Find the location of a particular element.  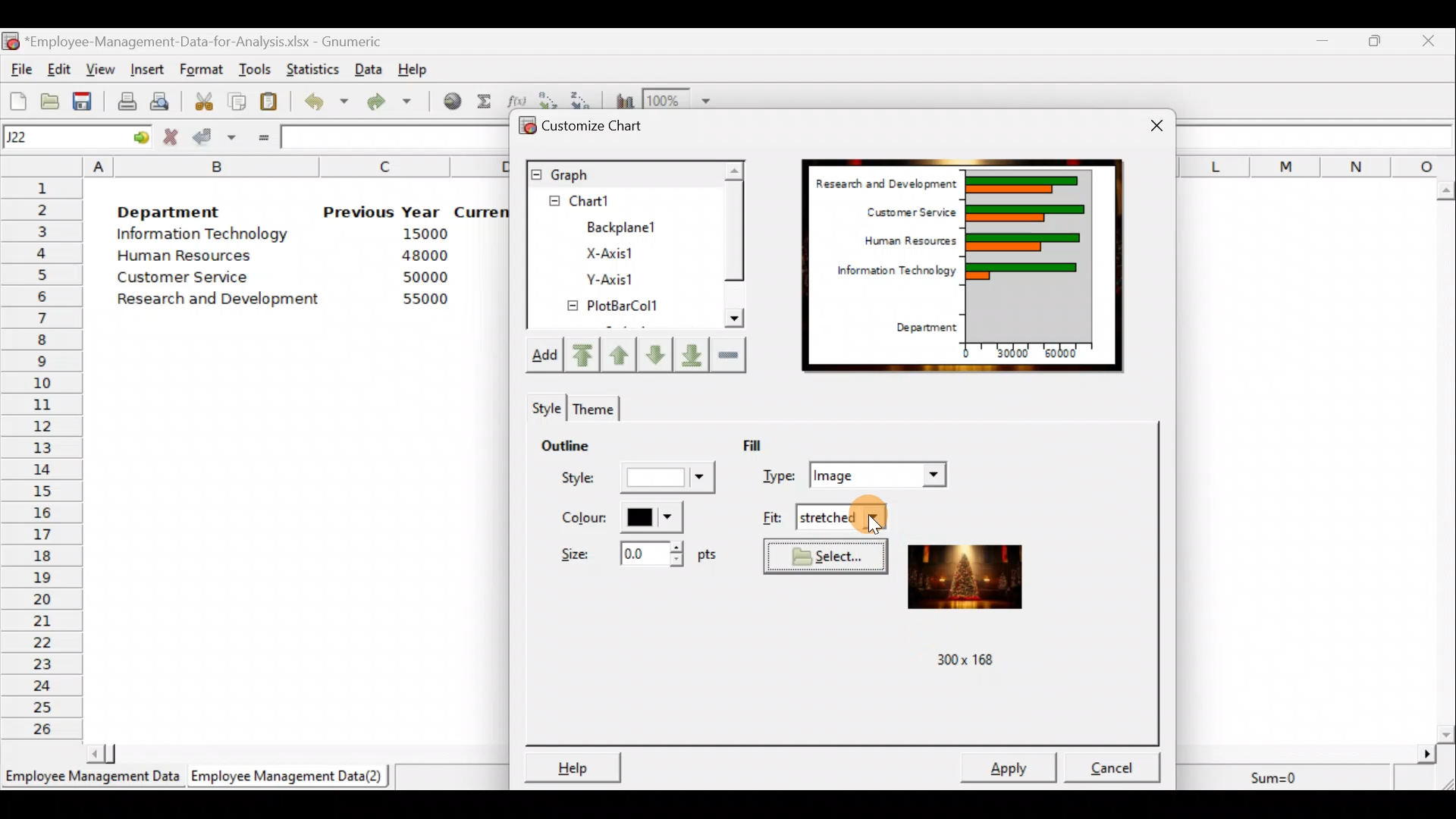

Paste the clipboard is located at coordinates (273, 103).